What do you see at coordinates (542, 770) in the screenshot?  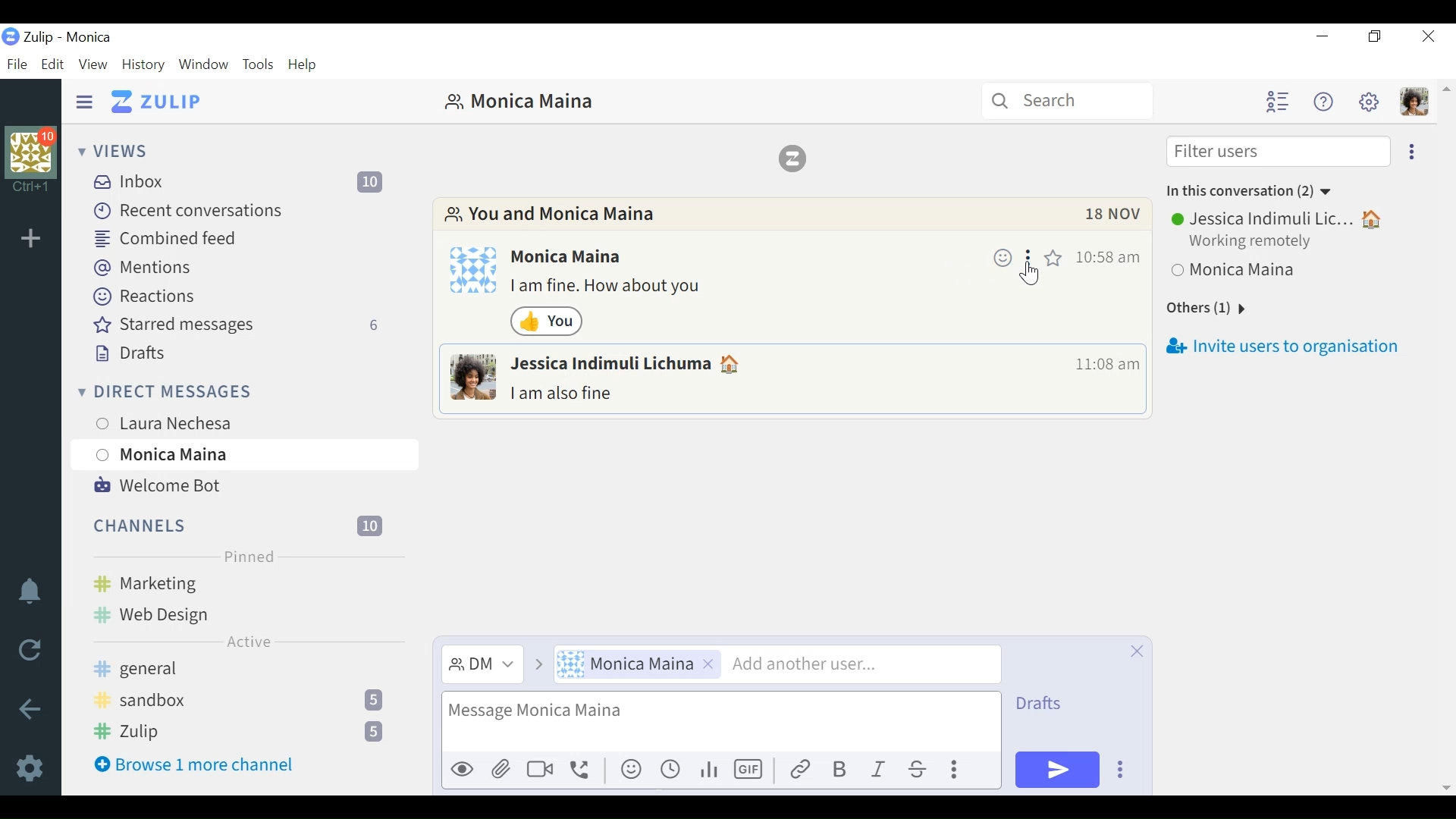 I see `` at bounding box center [542, 770].